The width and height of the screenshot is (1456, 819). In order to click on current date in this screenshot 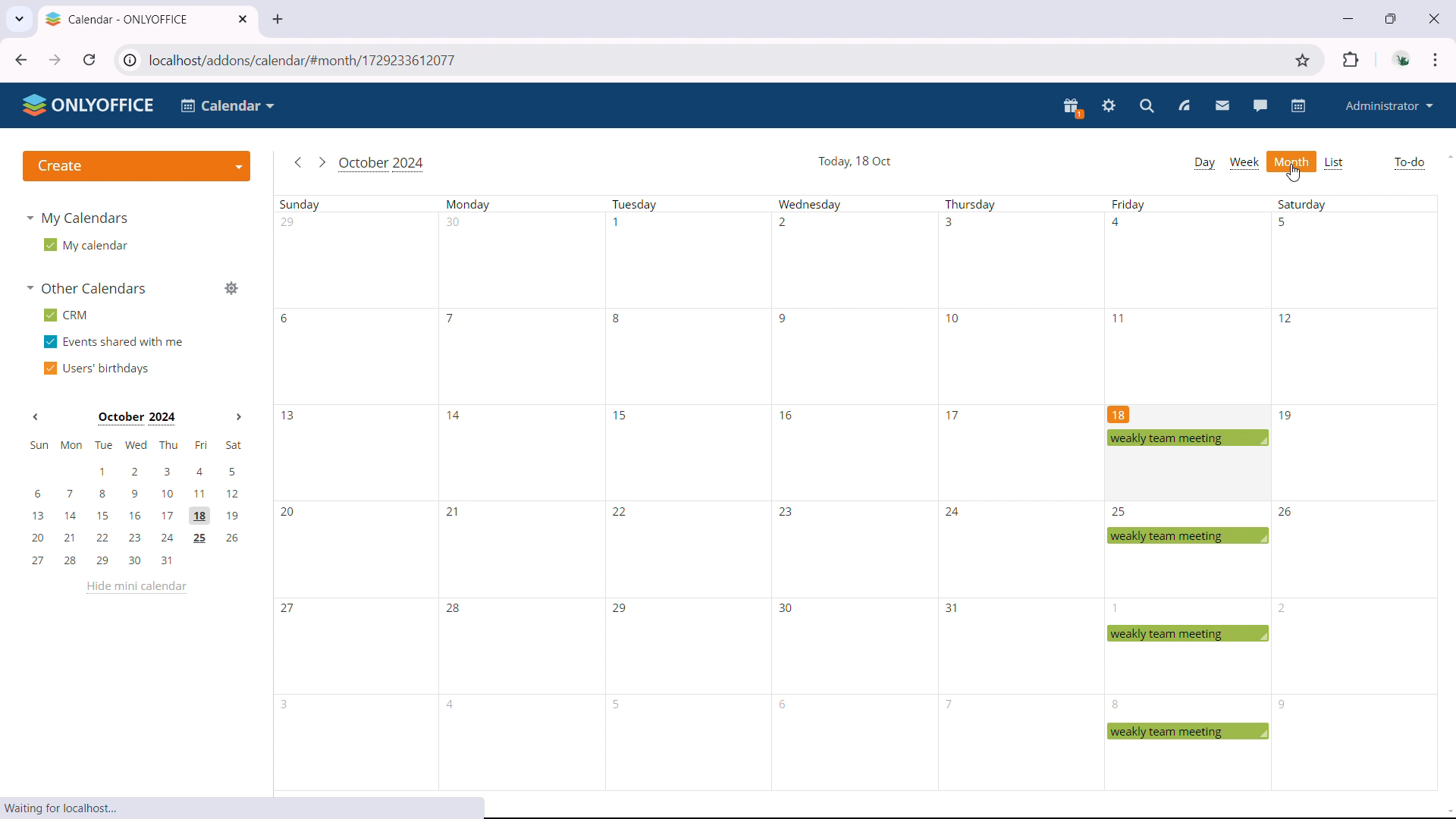, I will do `click(854, 163)`.